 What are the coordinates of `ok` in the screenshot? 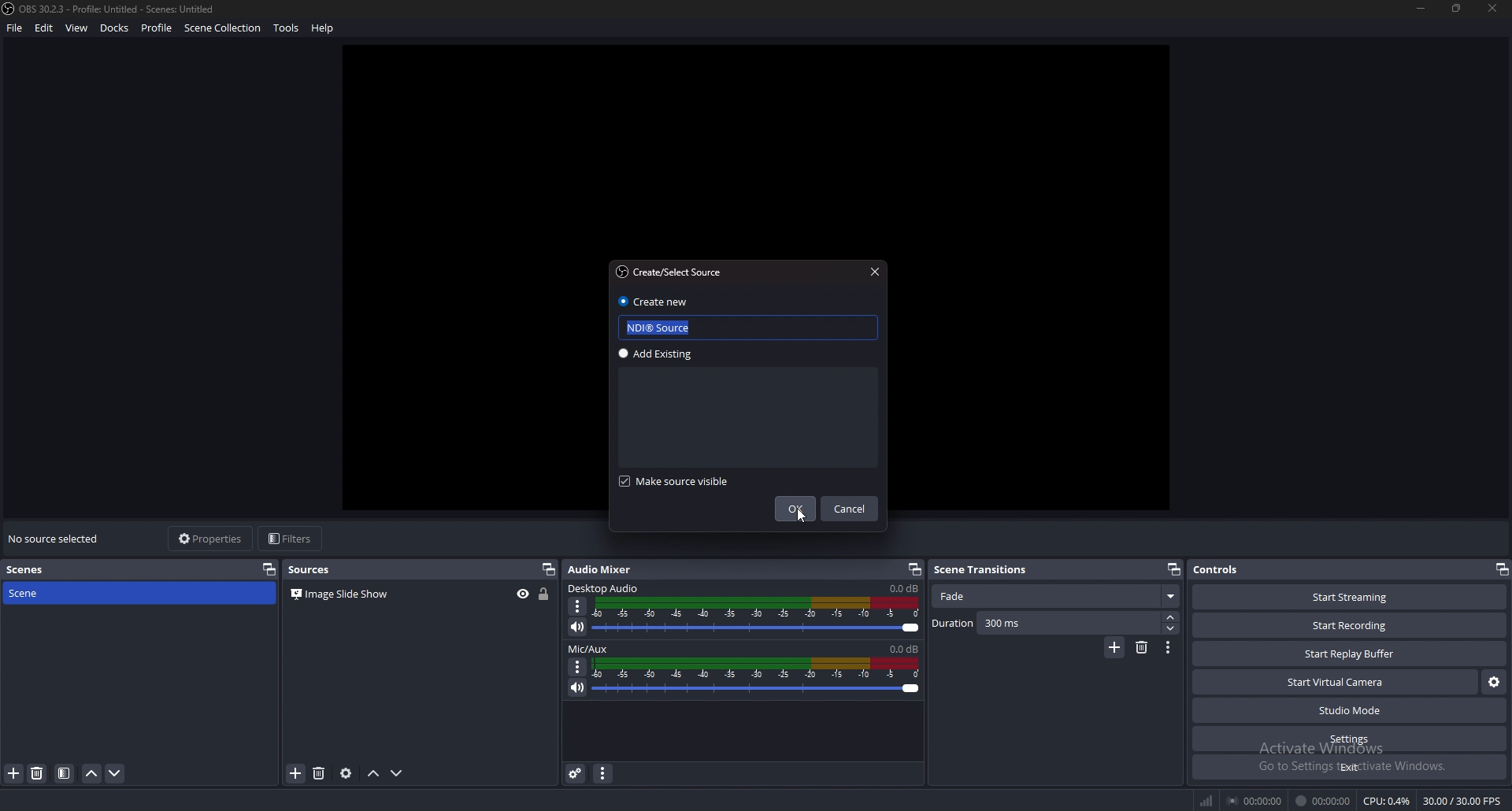 It's located at (795, 509).